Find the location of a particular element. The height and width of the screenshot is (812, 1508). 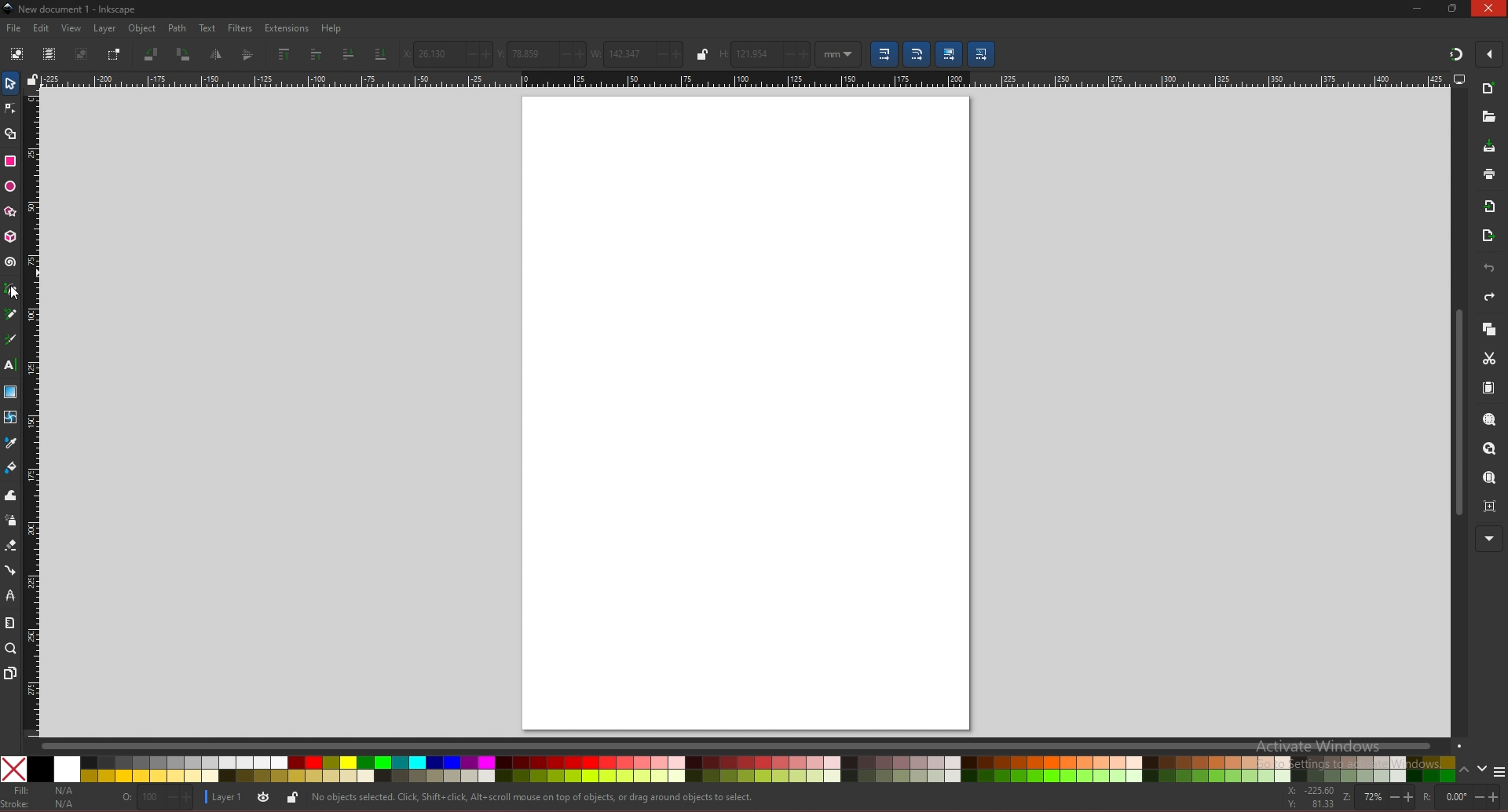

filters is located at coordinates (241, 28).